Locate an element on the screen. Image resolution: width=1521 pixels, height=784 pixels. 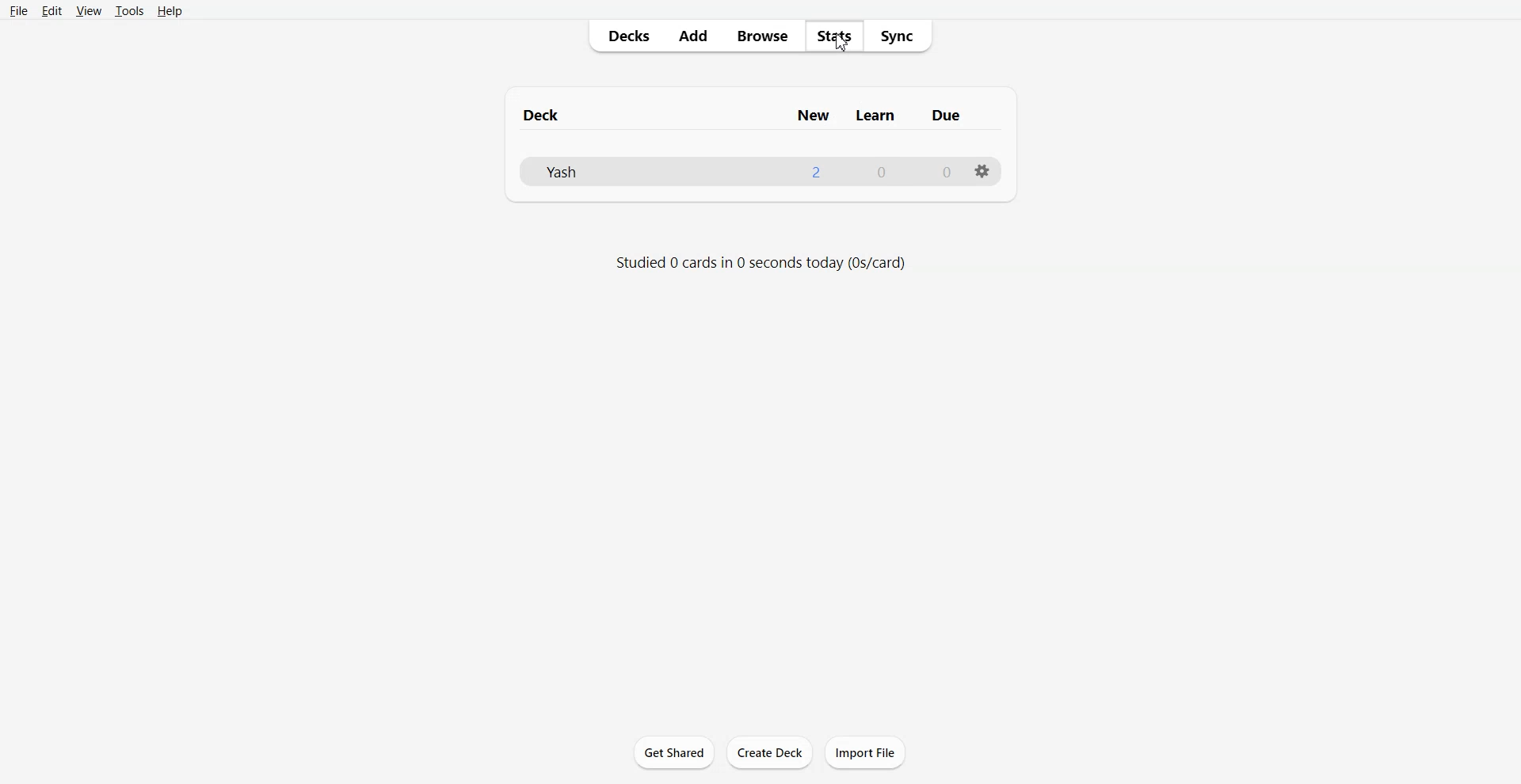
Decks is located at coordinates (622, 36).